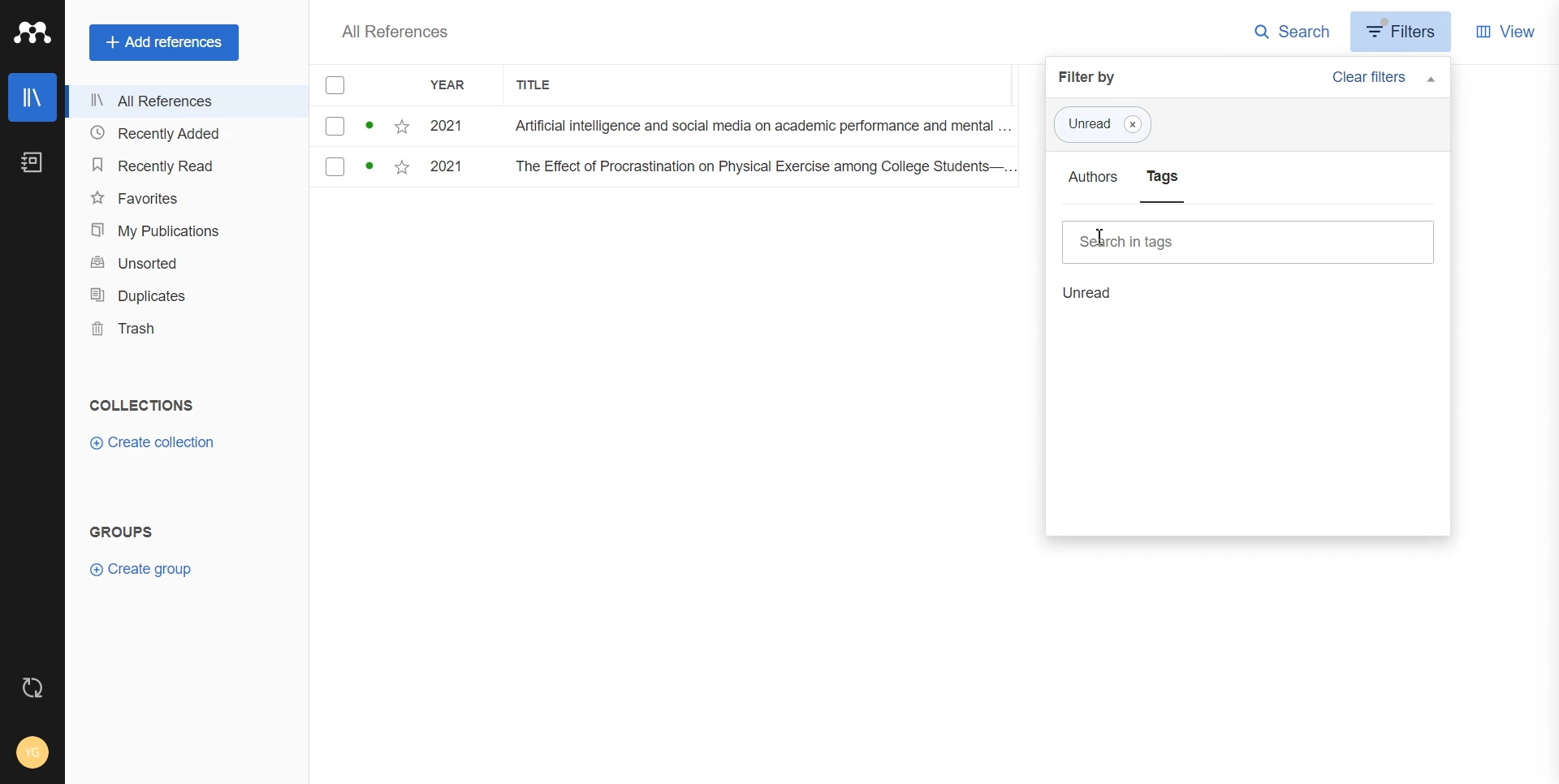 The width and height of the screenshot is (1559, 784). I want to click on Checkmarks, so click(336, 86).